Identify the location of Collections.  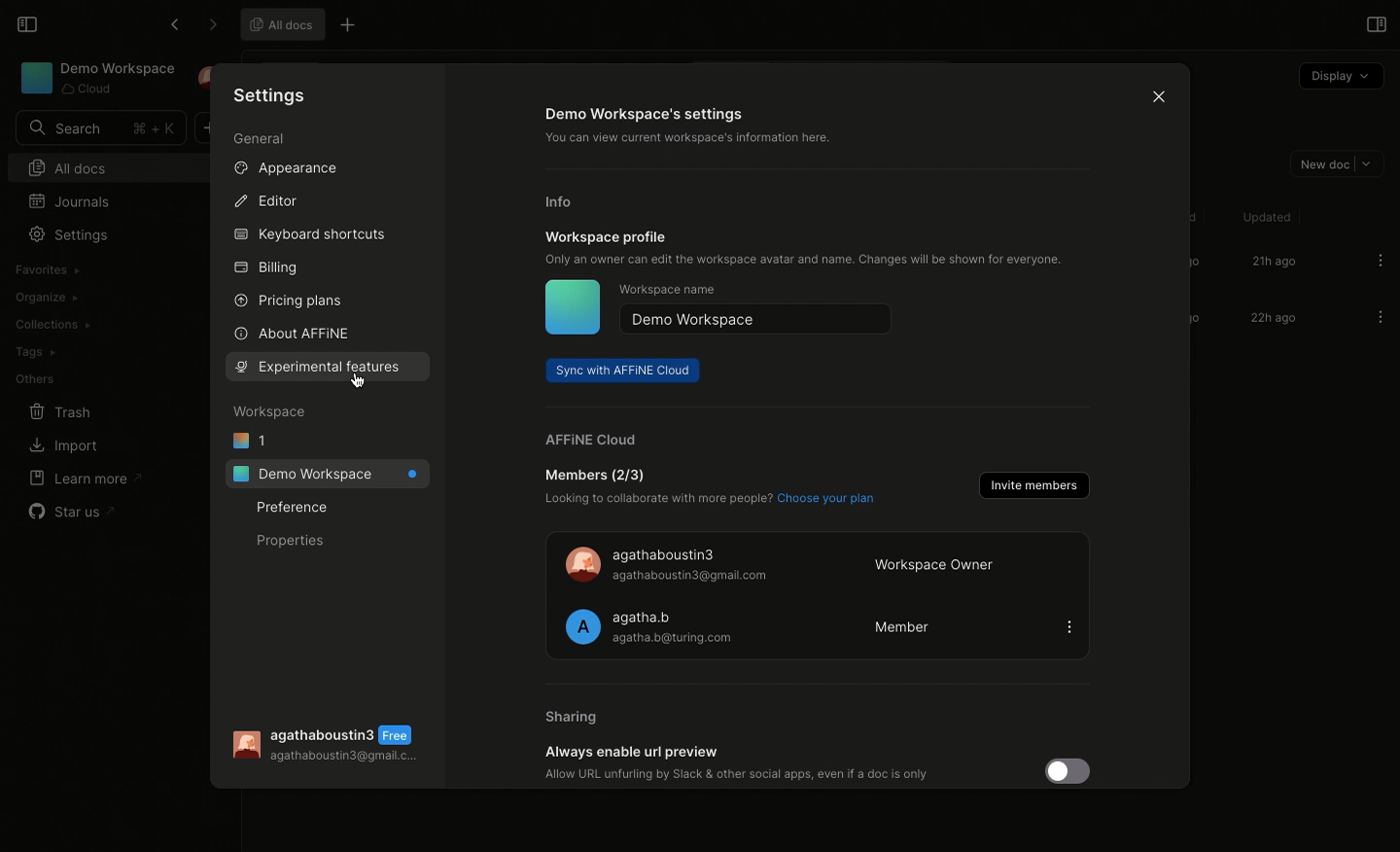
(52, 325).